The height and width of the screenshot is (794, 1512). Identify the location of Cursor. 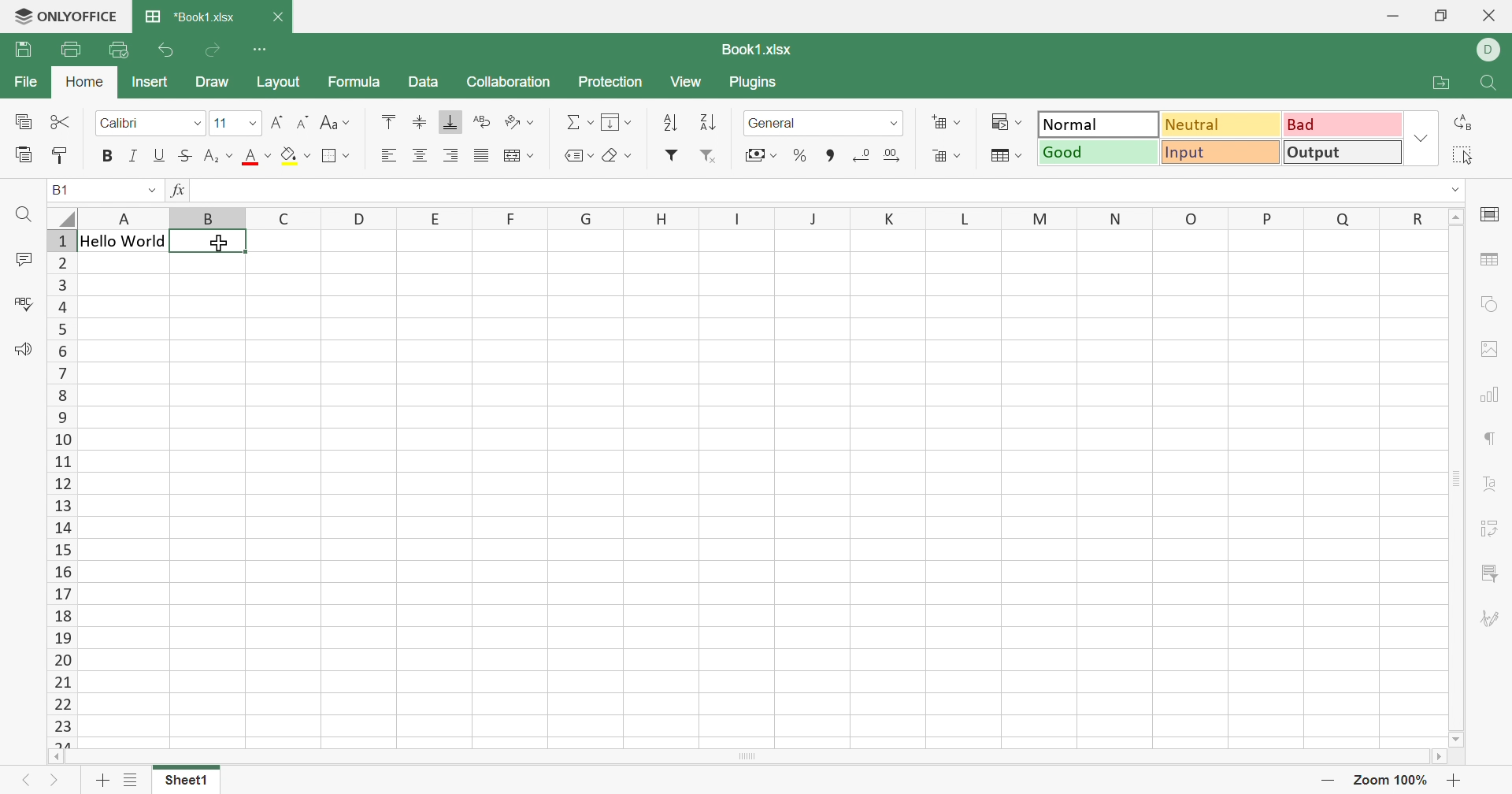
(220, 242).